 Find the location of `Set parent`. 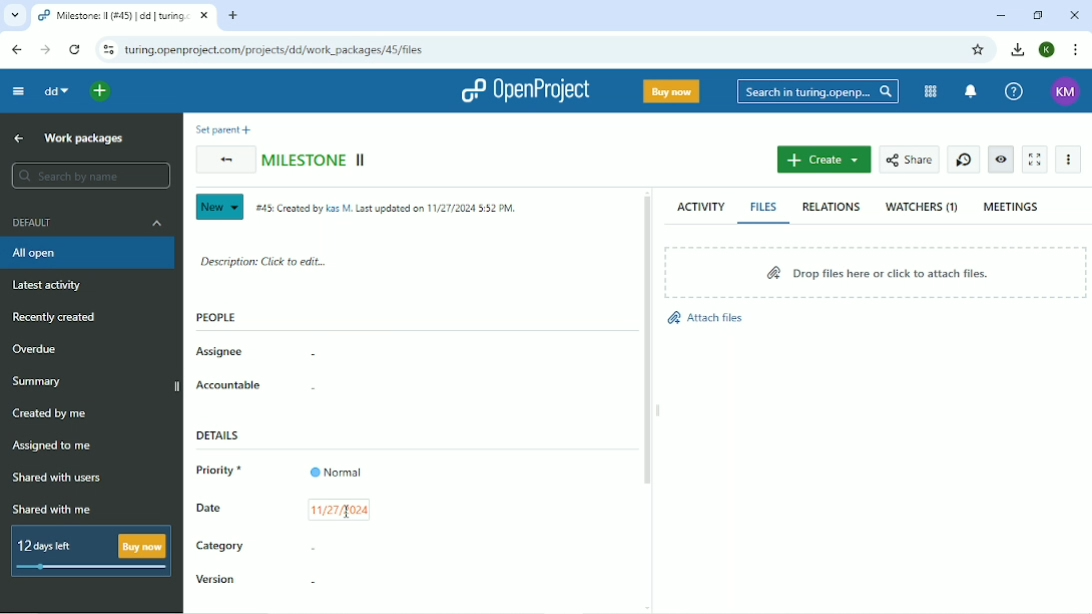

Set parent is located at coordinates (220, 129).